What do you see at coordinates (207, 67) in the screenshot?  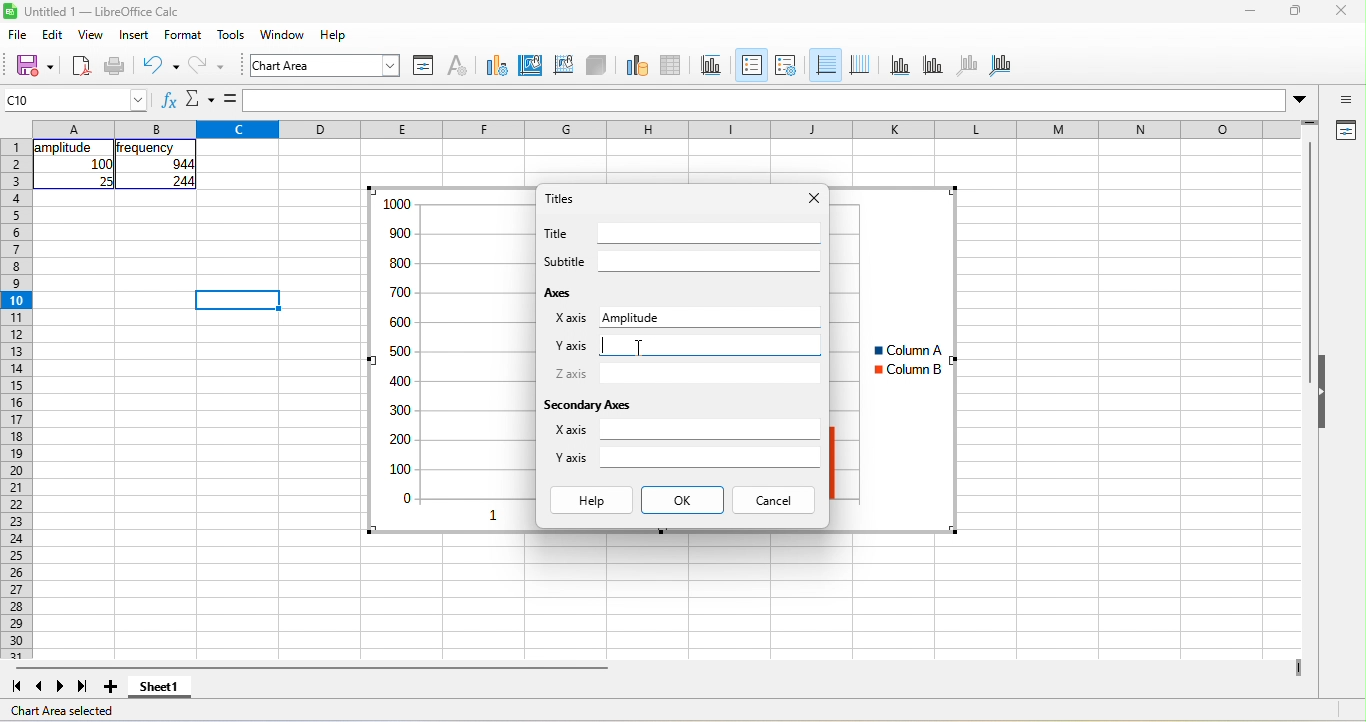 I see `redo` at bounding box center [207, 67].